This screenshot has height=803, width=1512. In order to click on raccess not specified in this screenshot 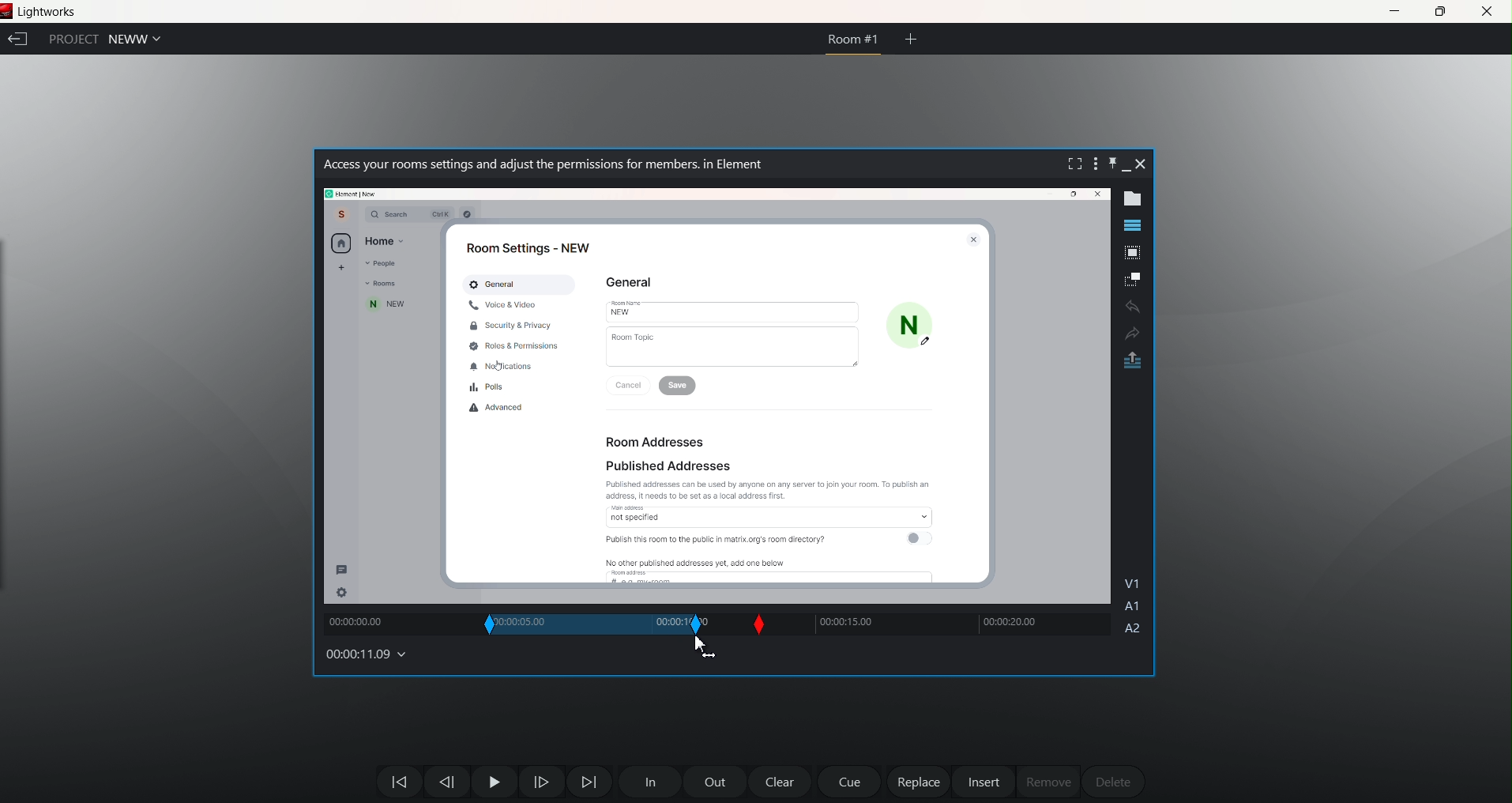, I will do `click(774, 513)`.